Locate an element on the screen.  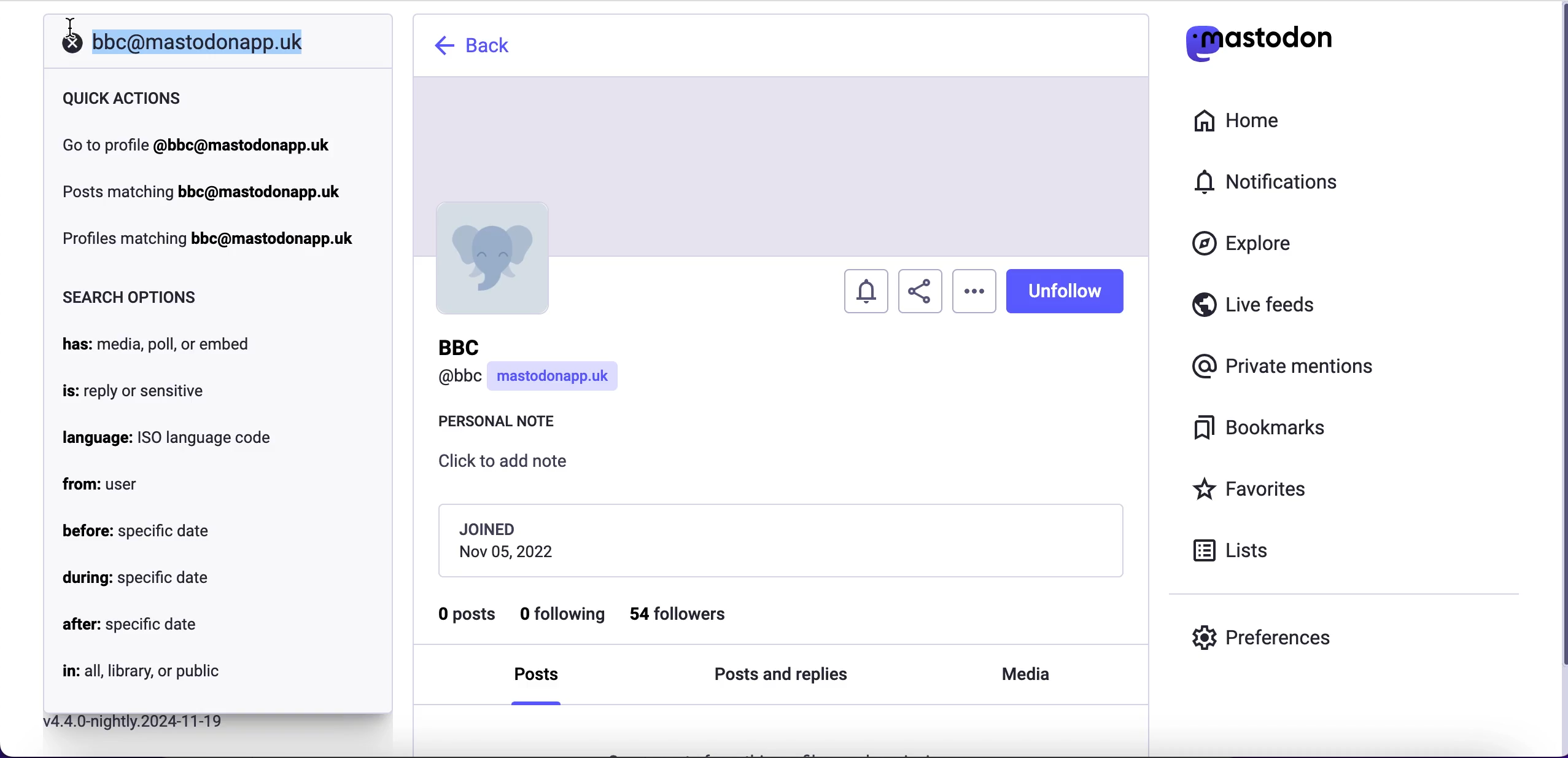
live feeds is located at coordinates (1254, 309).